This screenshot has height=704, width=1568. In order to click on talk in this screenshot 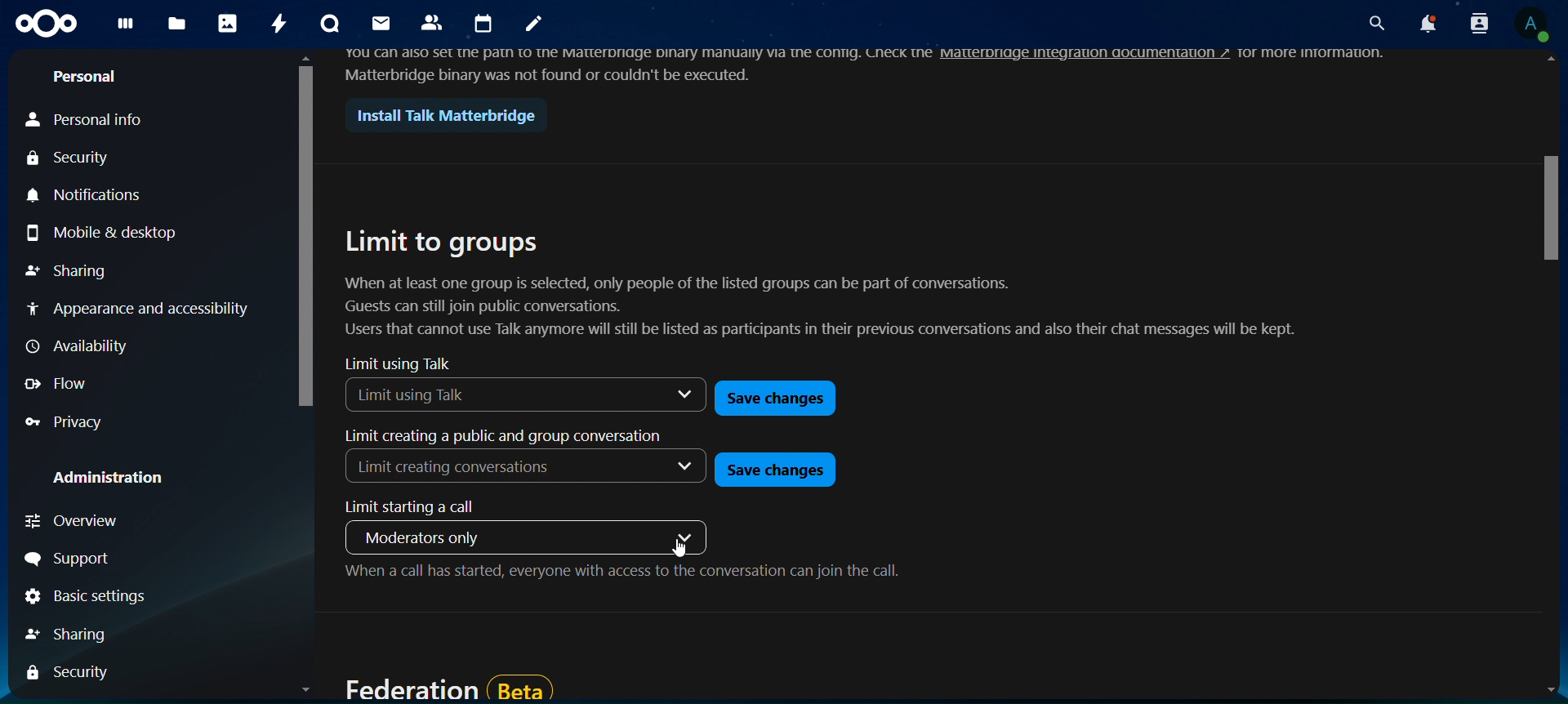, I will do `click(327, 25)`.